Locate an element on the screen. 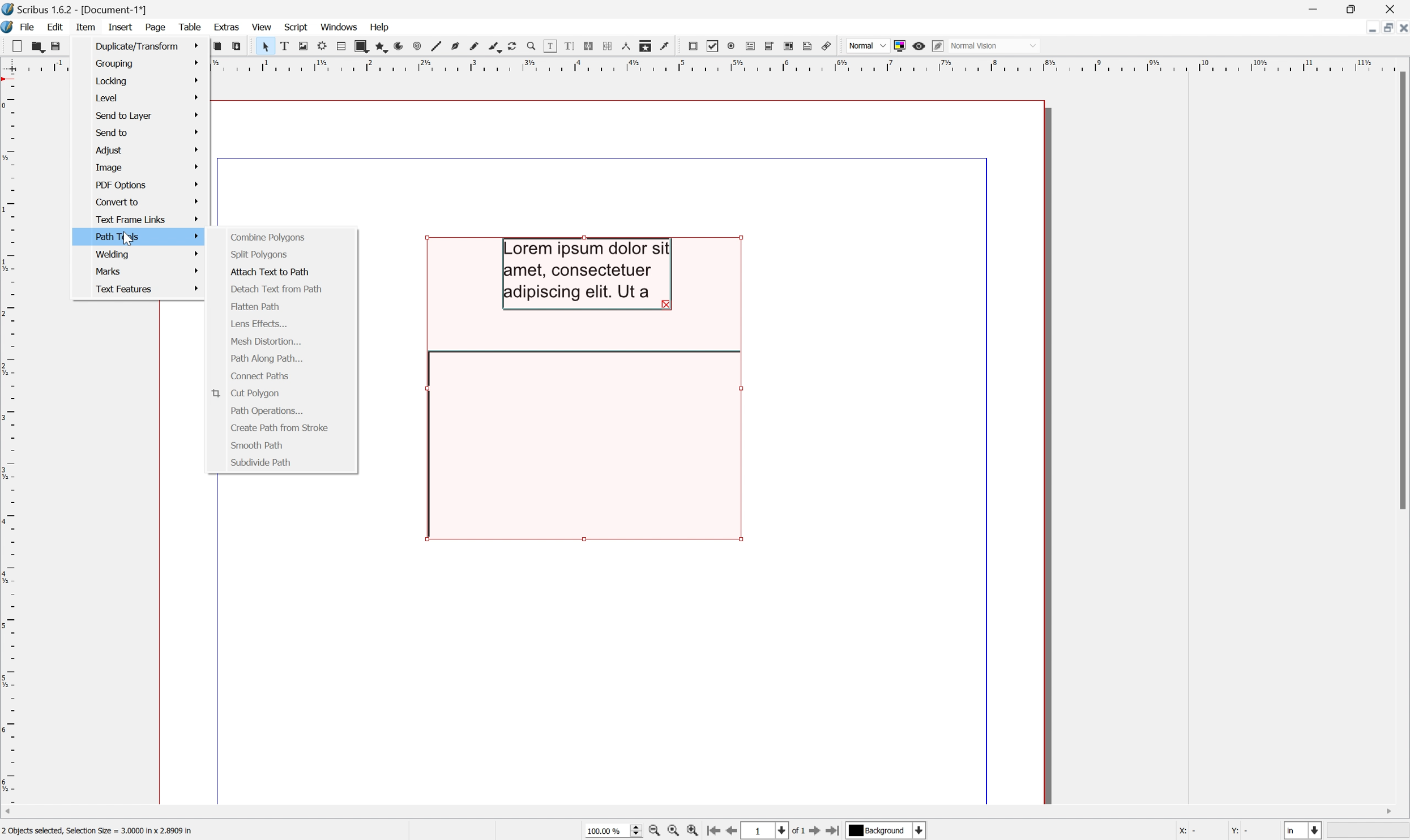  Split polygons is located at coordinates (257, 255).